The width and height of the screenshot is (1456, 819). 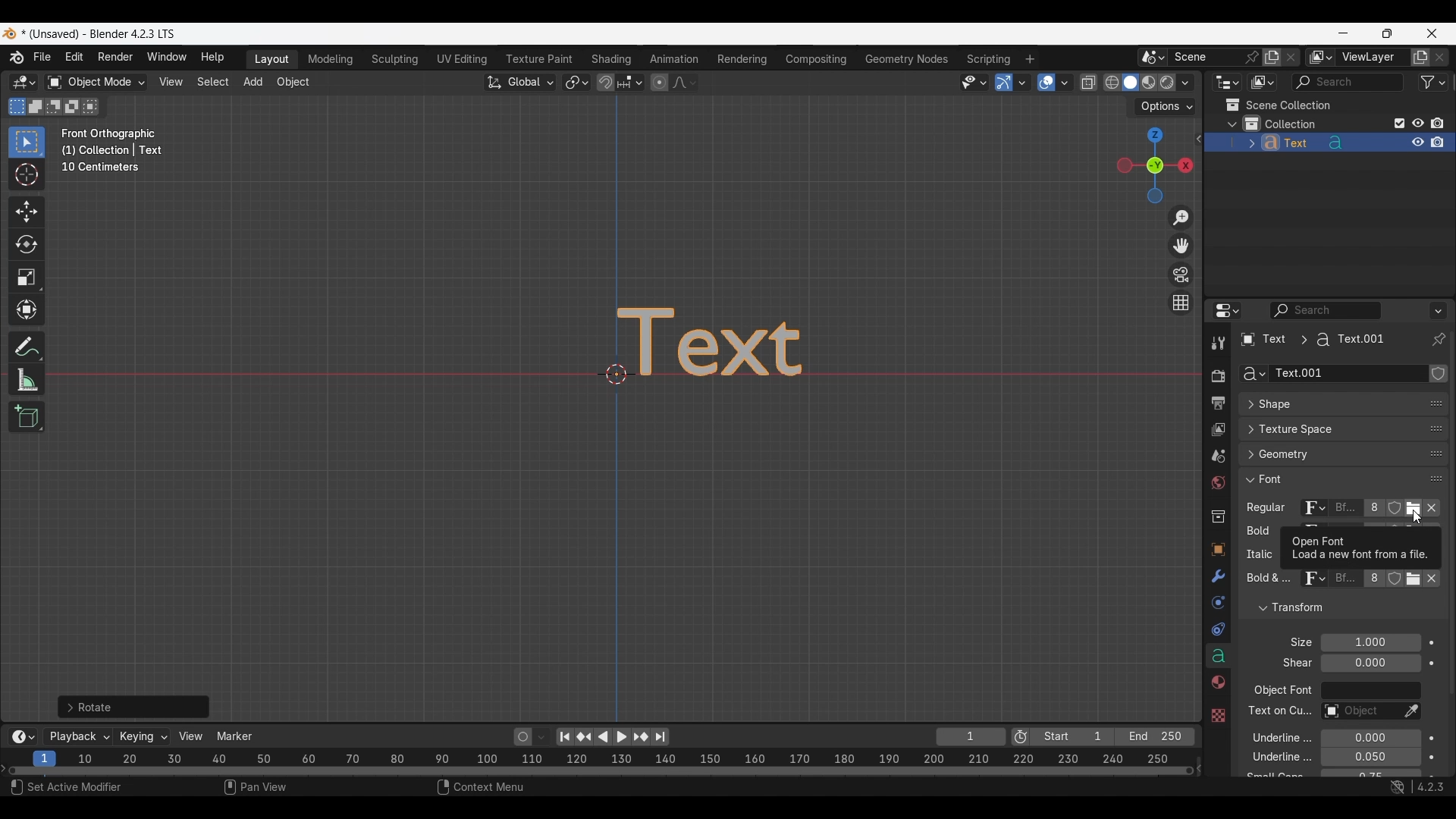 I want to click on Eyedropper data-block, so click(x=1429, y=399).